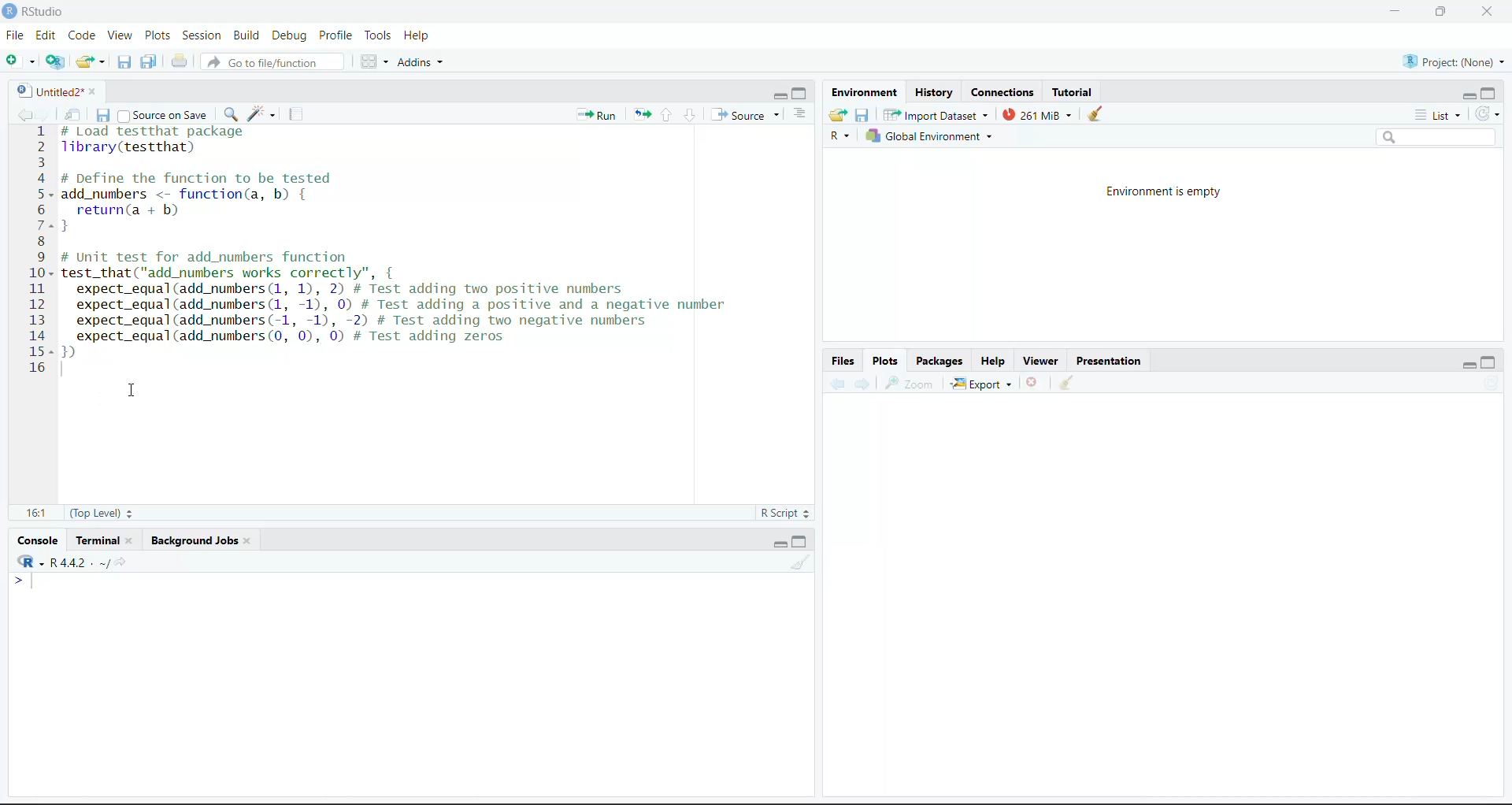 The width and height of the screenshot is (1512, 805). What do you see at coordinates (416, 35) in the screenshot?
I see `Help` at bounding box center [416, 35].